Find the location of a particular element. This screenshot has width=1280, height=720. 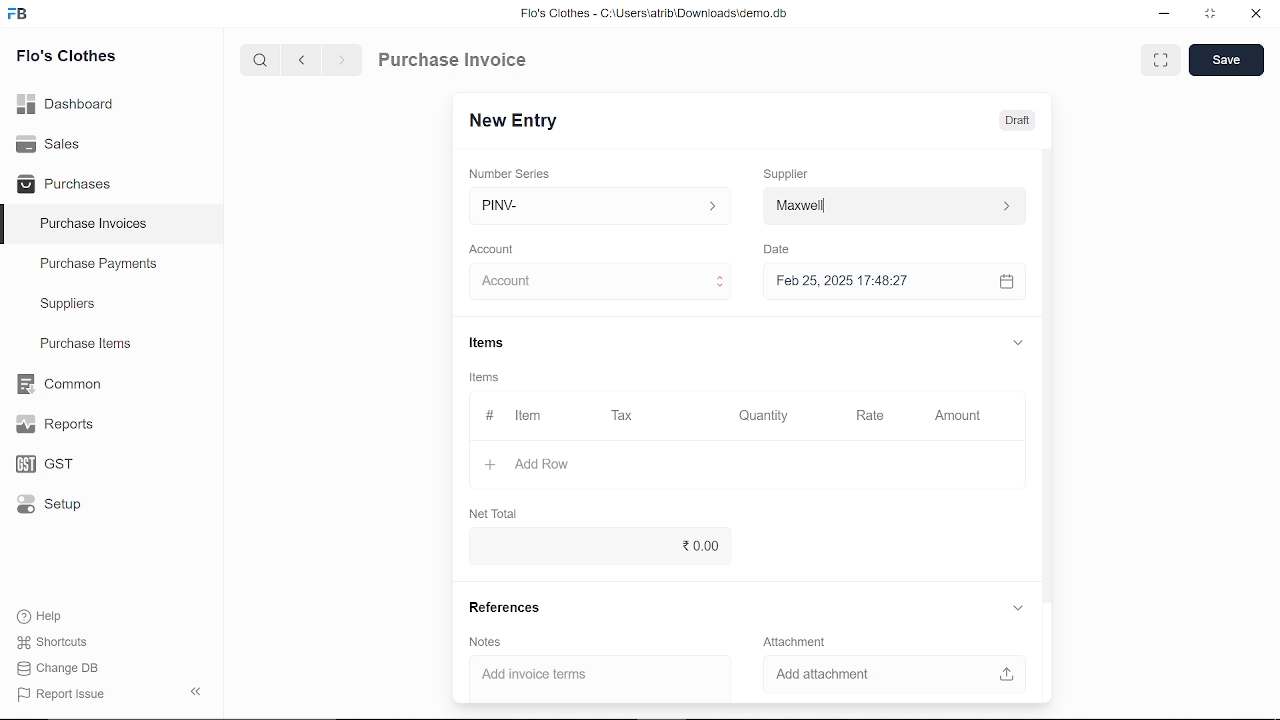

Change DB is located at coordinates (58, 670).